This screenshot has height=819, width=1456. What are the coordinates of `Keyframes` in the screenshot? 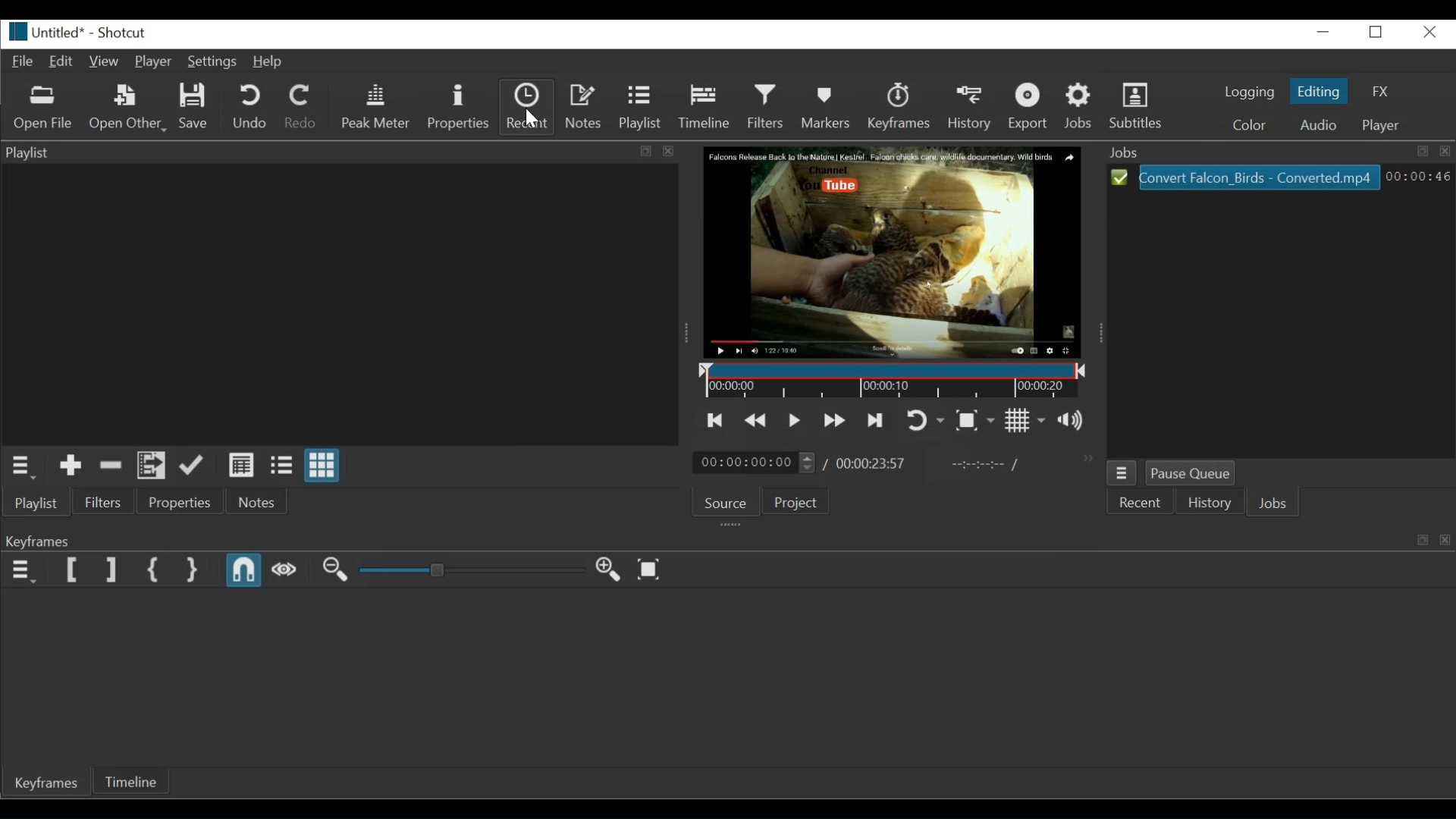 It's located at (48, 786).